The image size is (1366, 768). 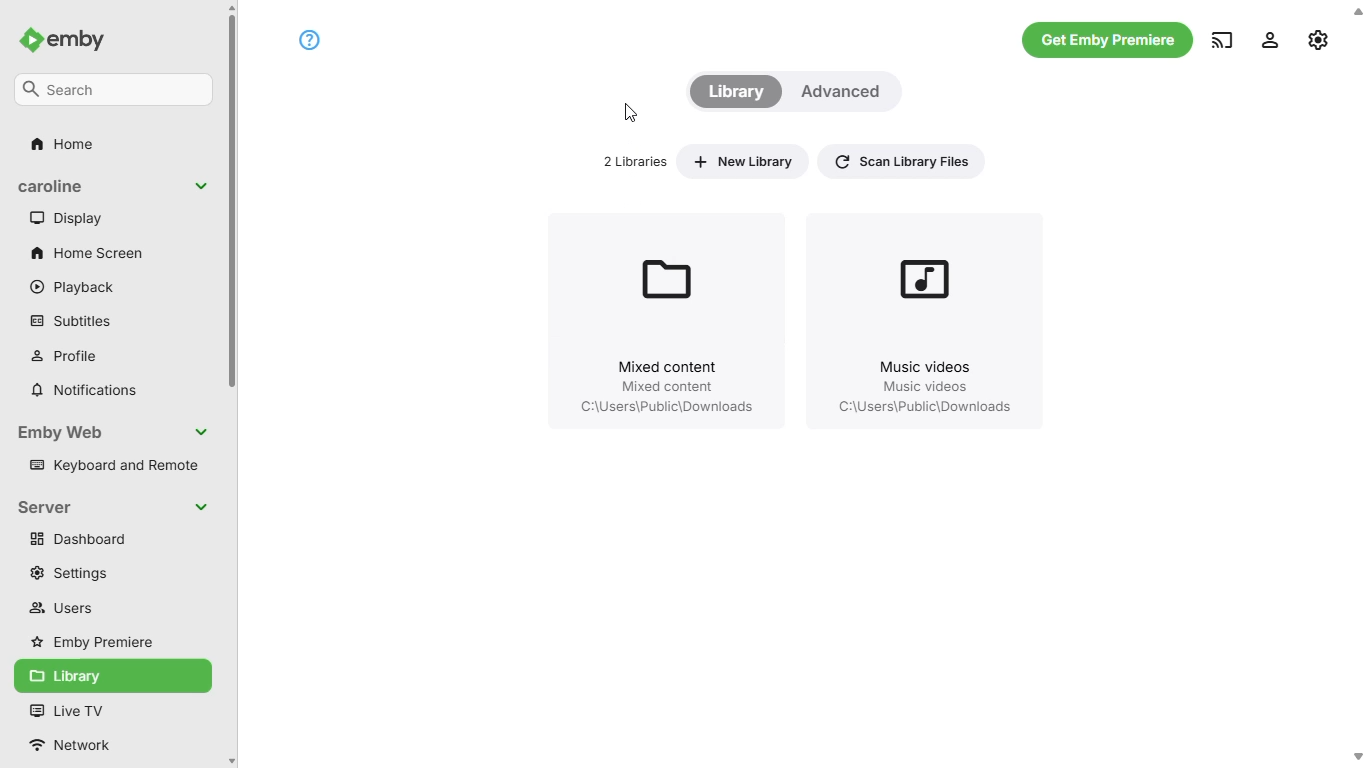 What do you see at coordinates (1357, 386) in the screenshot?
I see `vertical scroll bar` at bounding box center [1357, 386].